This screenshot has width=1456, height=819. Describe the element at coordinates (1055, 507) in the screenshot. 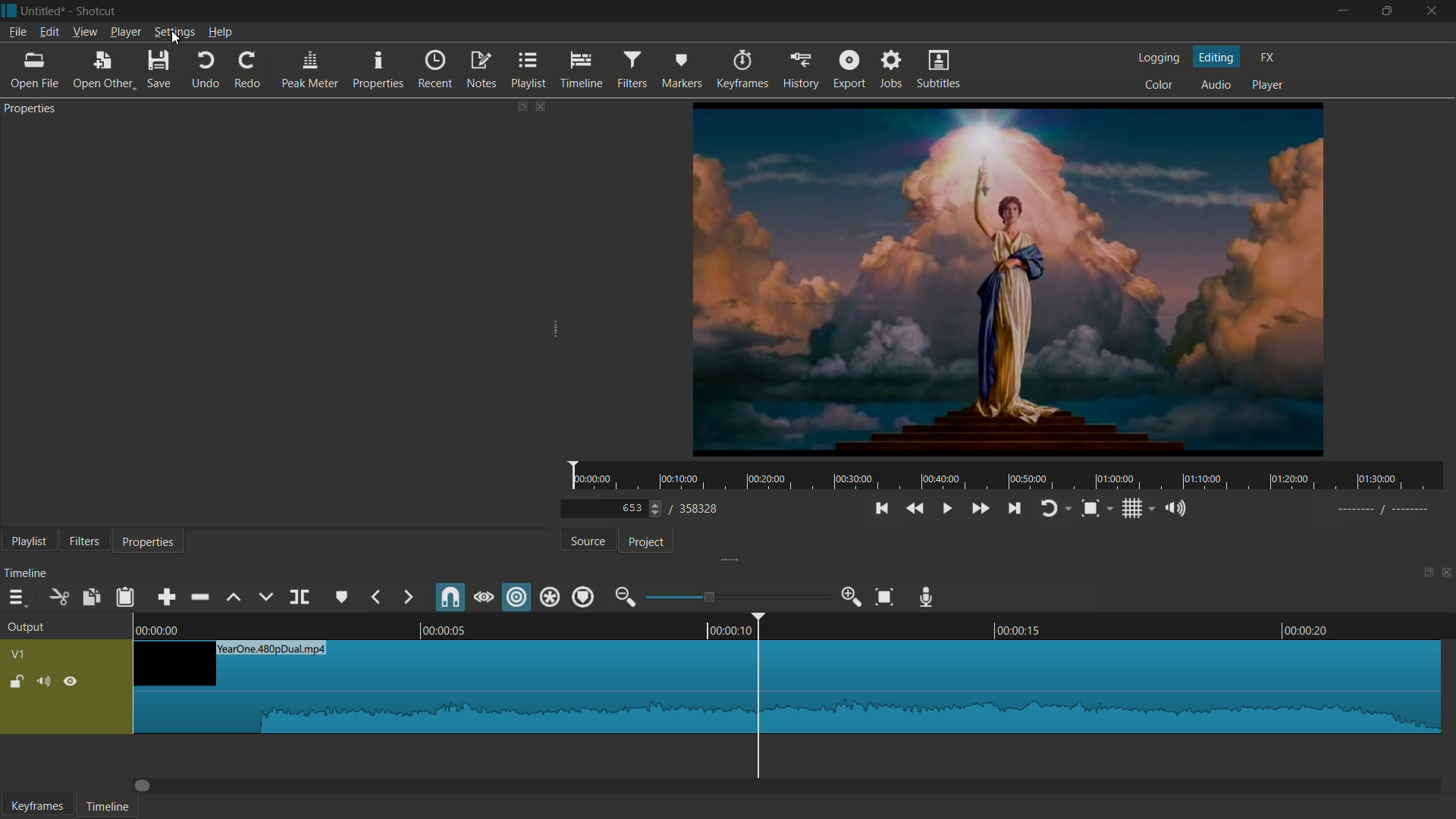

I see `toggle player looping` at that location.